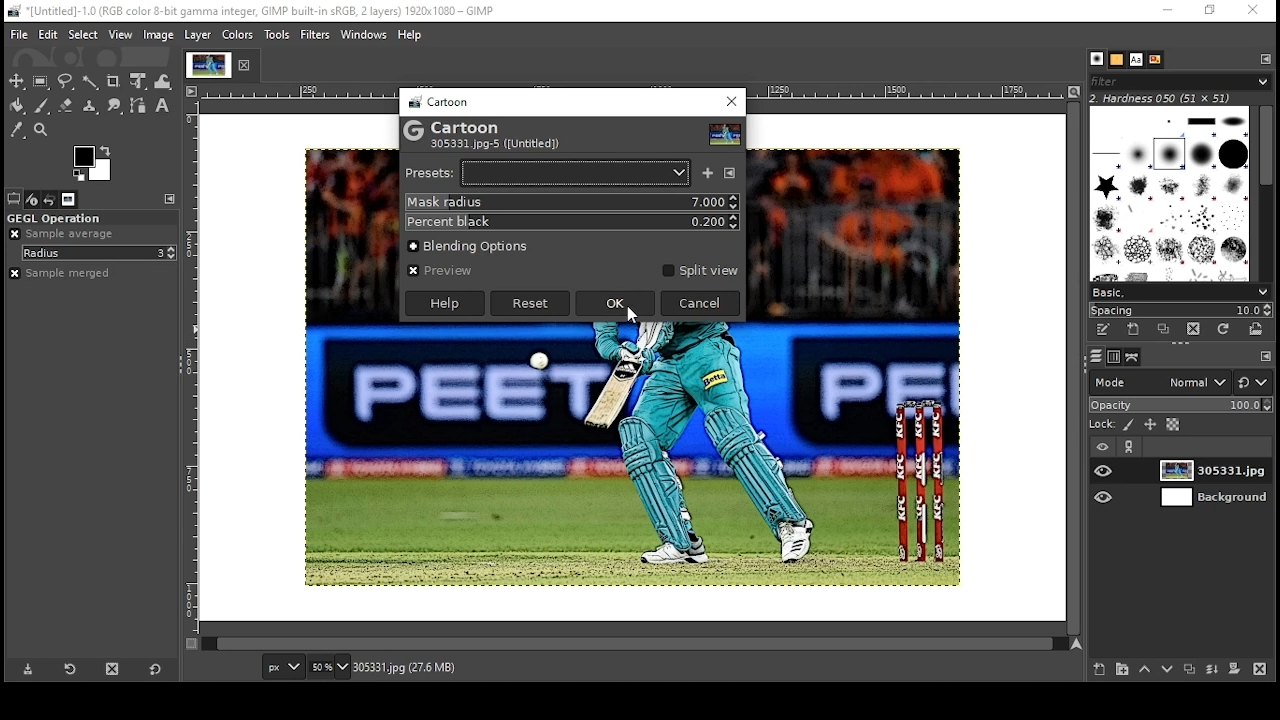 The image size is (1280, 720). What do you see at coordinates (1194, 328) in the screenshot?
I see `delete this brush` at bounding box center [1194, 328].